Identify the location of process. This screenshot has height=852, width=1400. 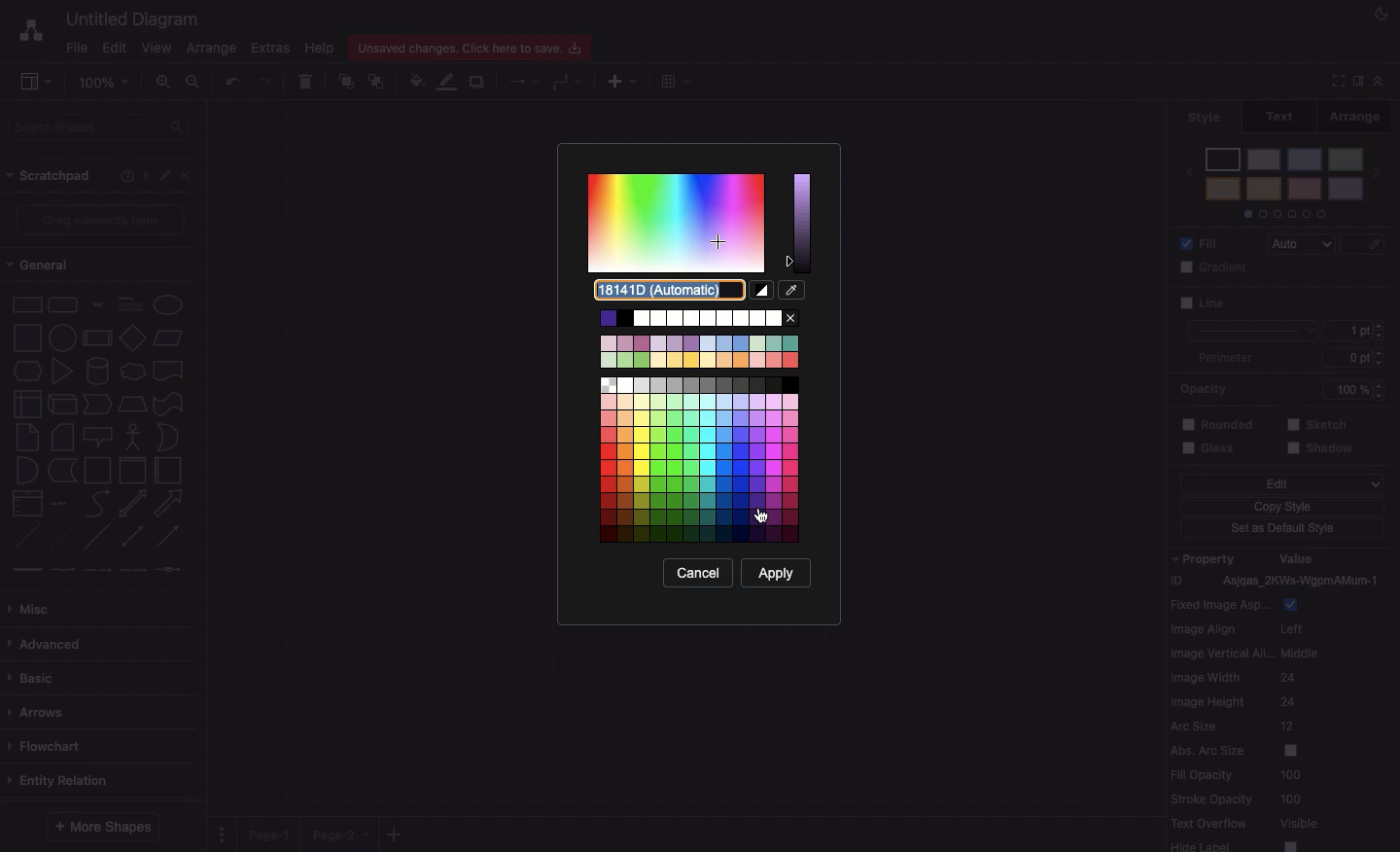
(96, 338).